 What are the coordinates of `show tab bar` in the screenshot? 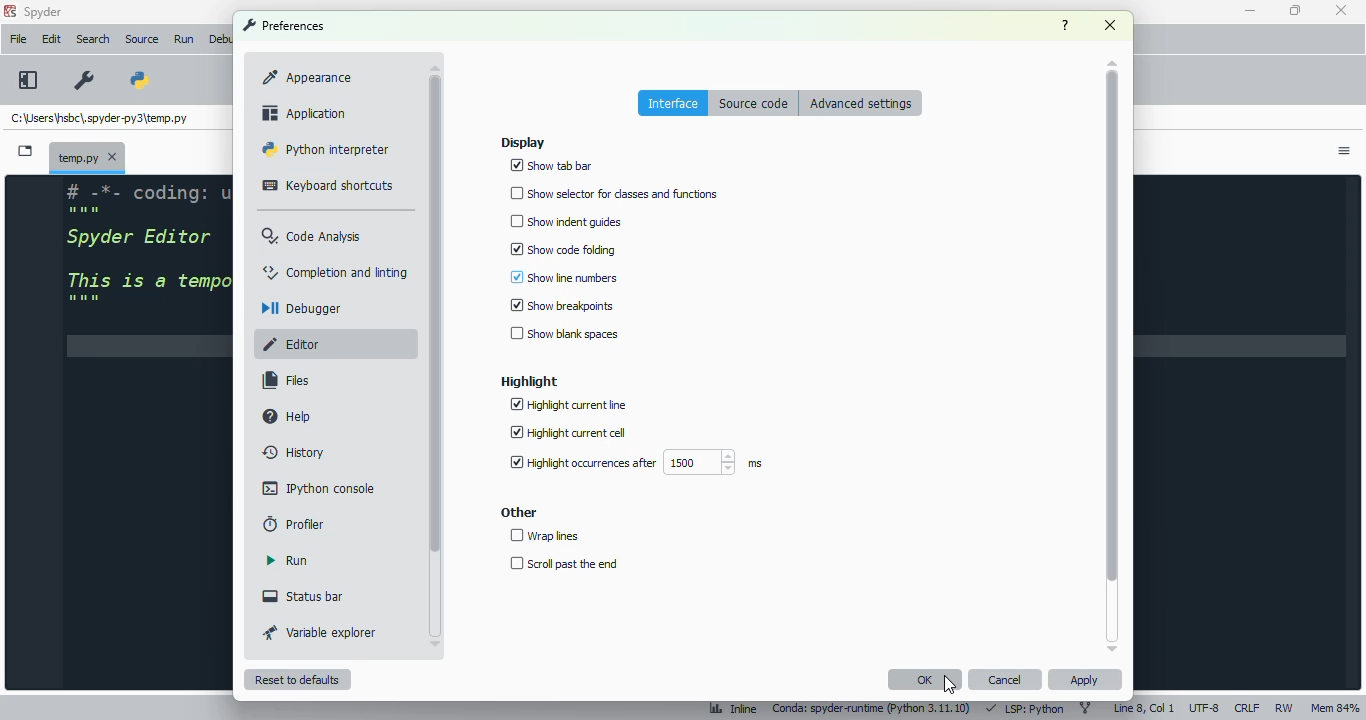 It's located at (554, 166).